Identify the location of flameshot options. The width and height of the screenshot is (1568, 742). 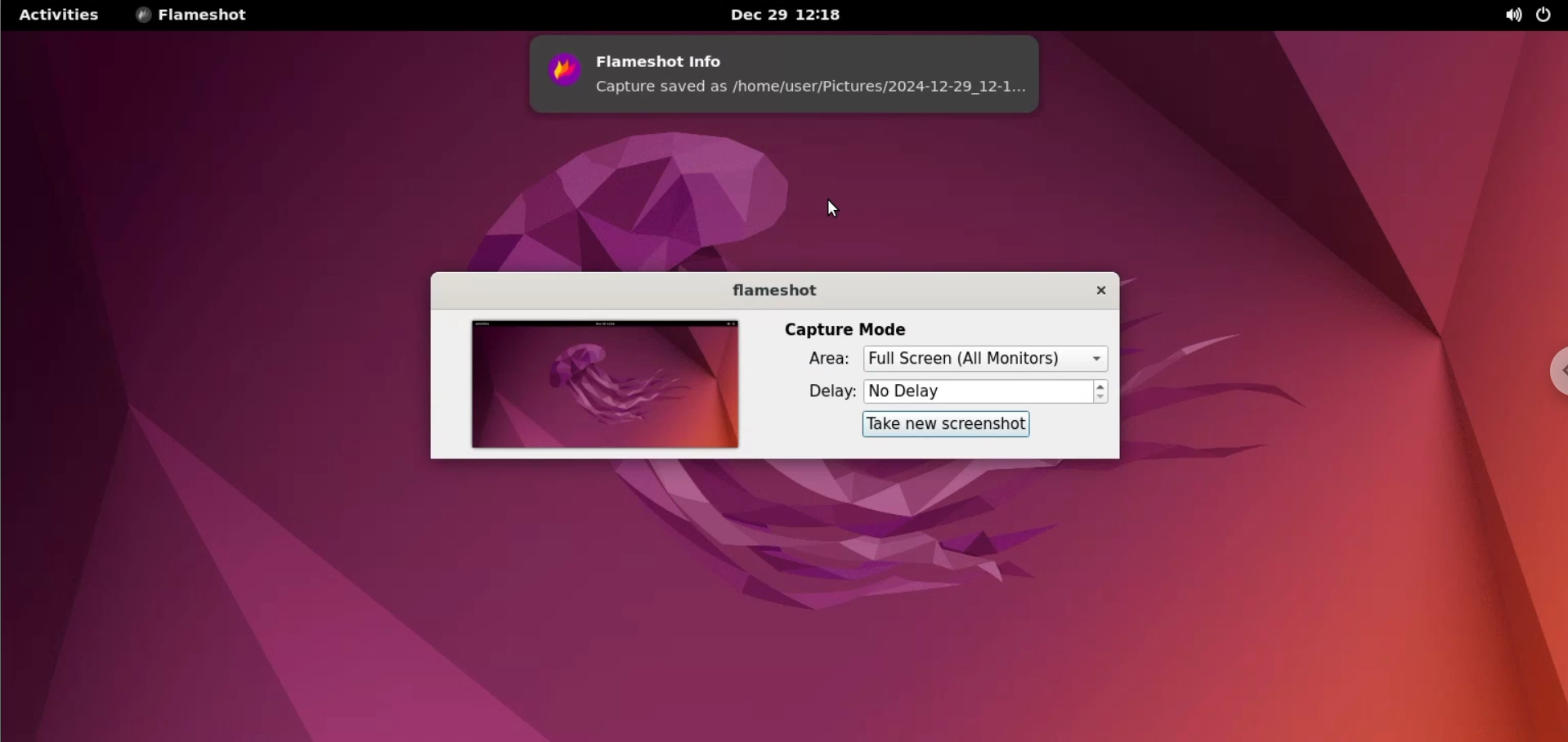
(198, 16).